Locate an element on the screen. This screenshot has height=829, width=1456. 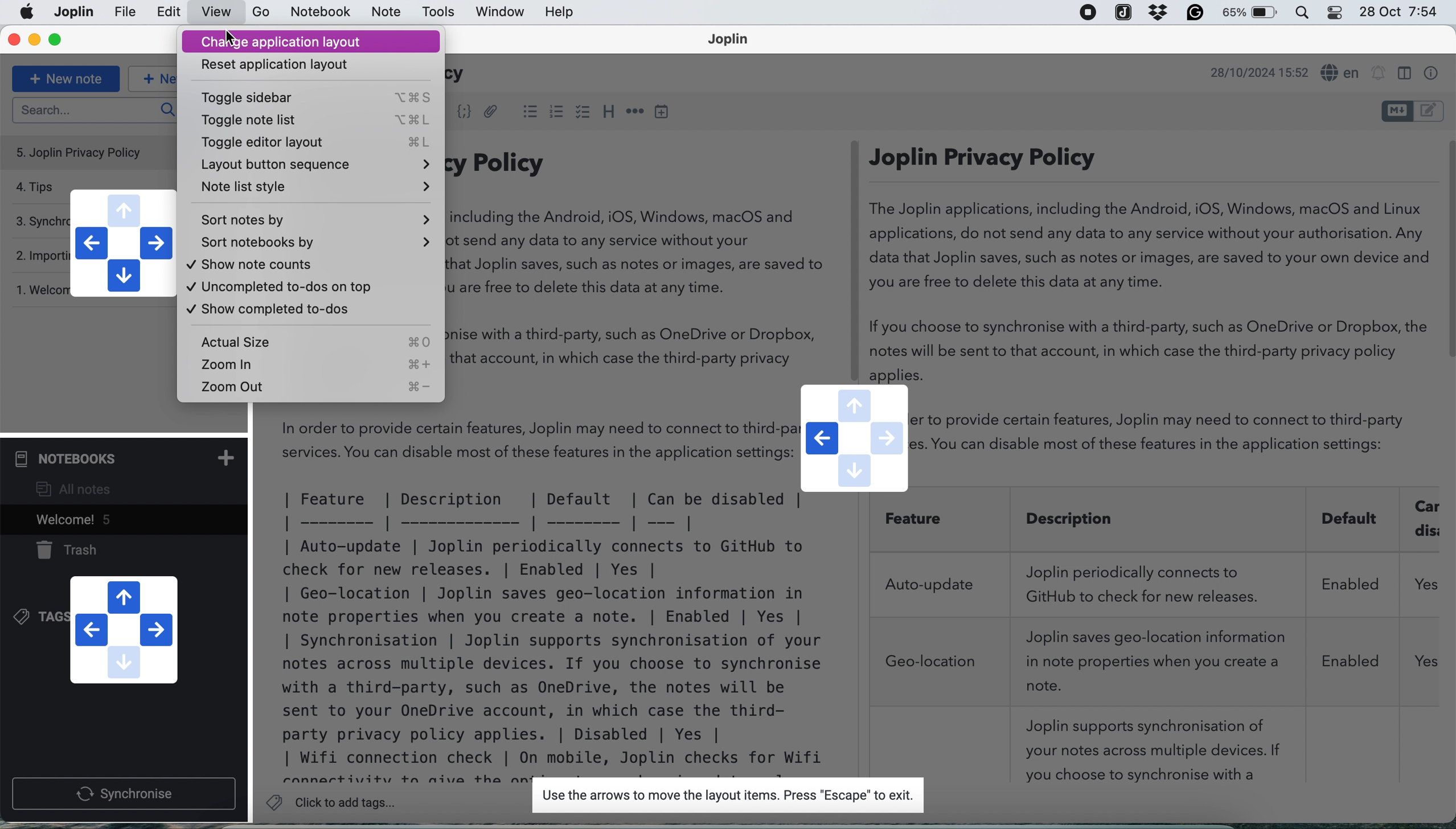
joplin is located at coordinates (1123, 12).